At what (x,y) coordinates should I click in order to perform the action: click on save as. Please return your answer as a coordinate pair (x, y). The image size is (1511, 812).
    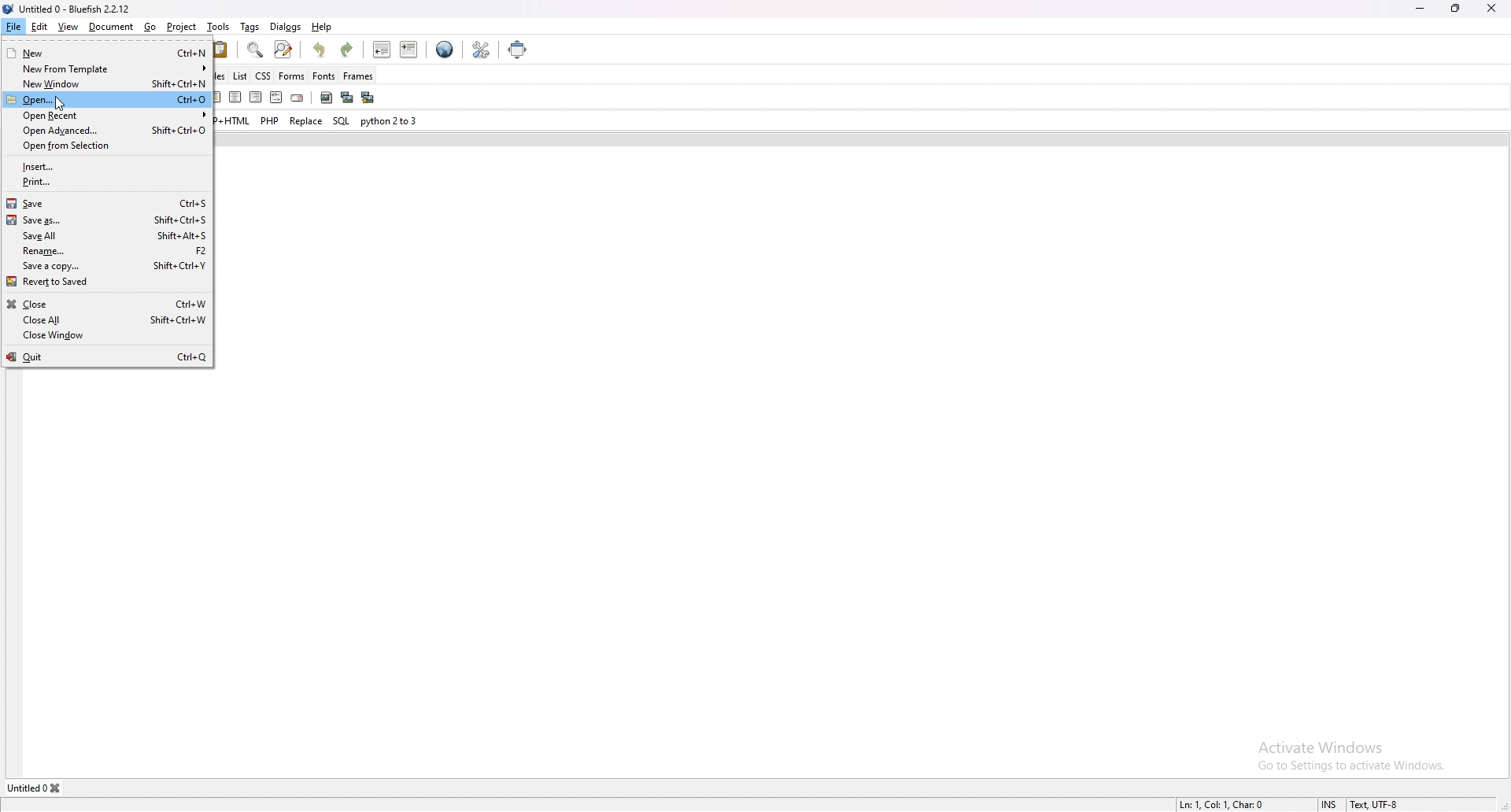
    Looking at the image, I should click on (57, 220).